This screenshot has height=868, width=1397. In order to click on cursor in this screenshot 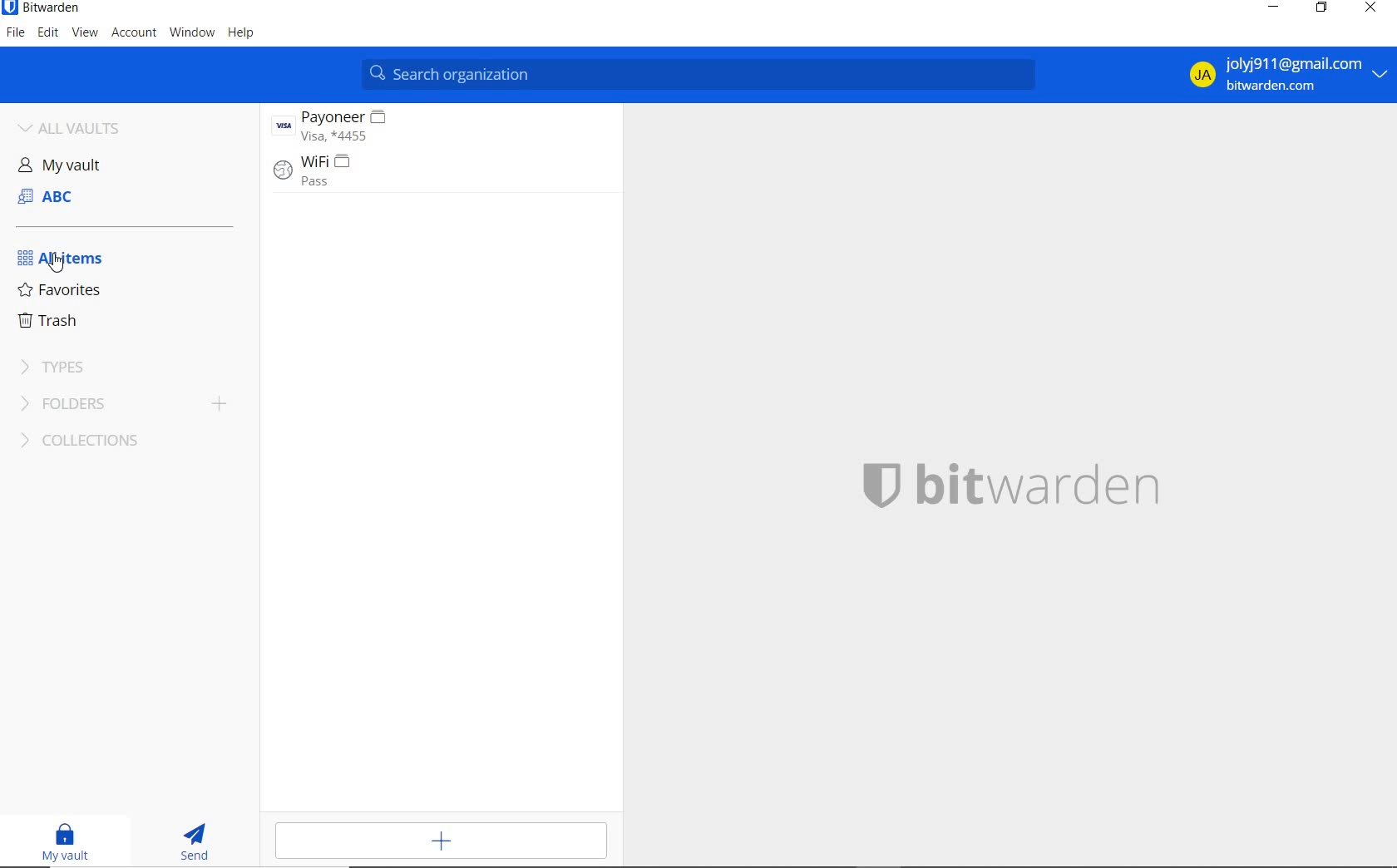, I will do `click(61, 264)`.